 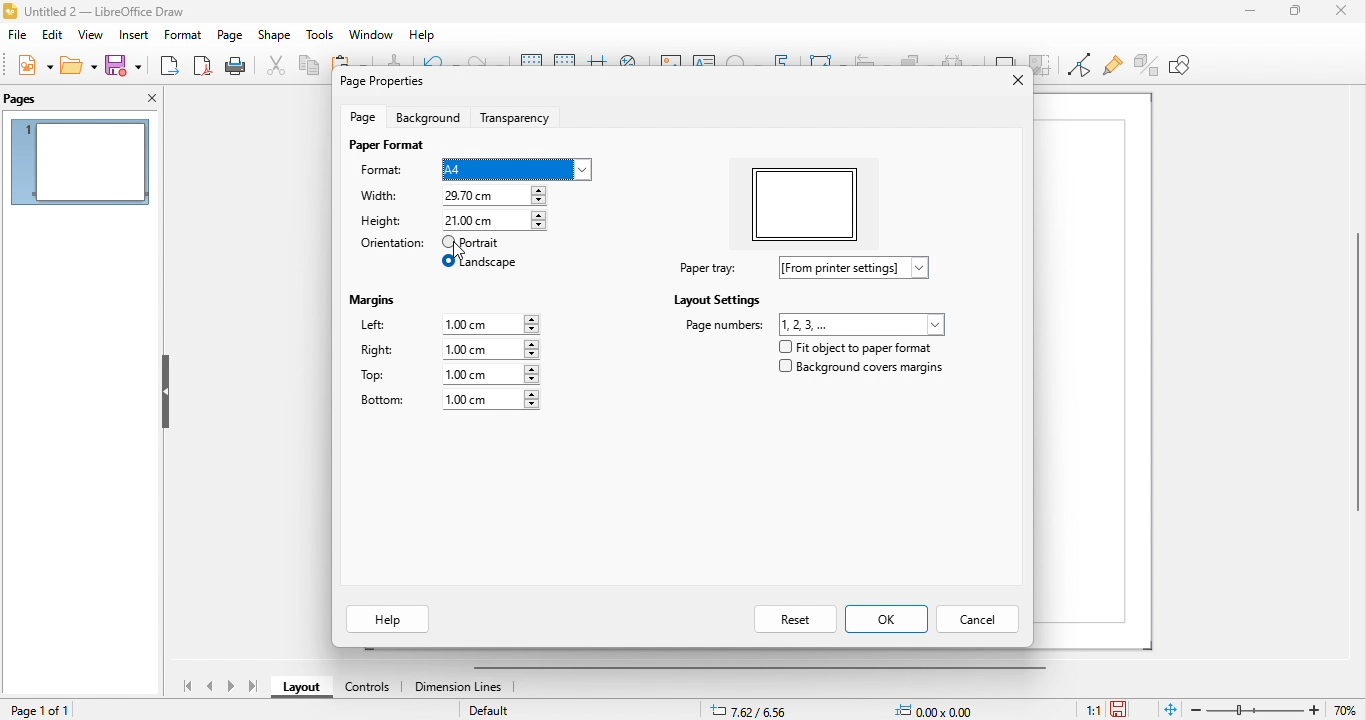 I want to click on view, so click(x=91, y=35).